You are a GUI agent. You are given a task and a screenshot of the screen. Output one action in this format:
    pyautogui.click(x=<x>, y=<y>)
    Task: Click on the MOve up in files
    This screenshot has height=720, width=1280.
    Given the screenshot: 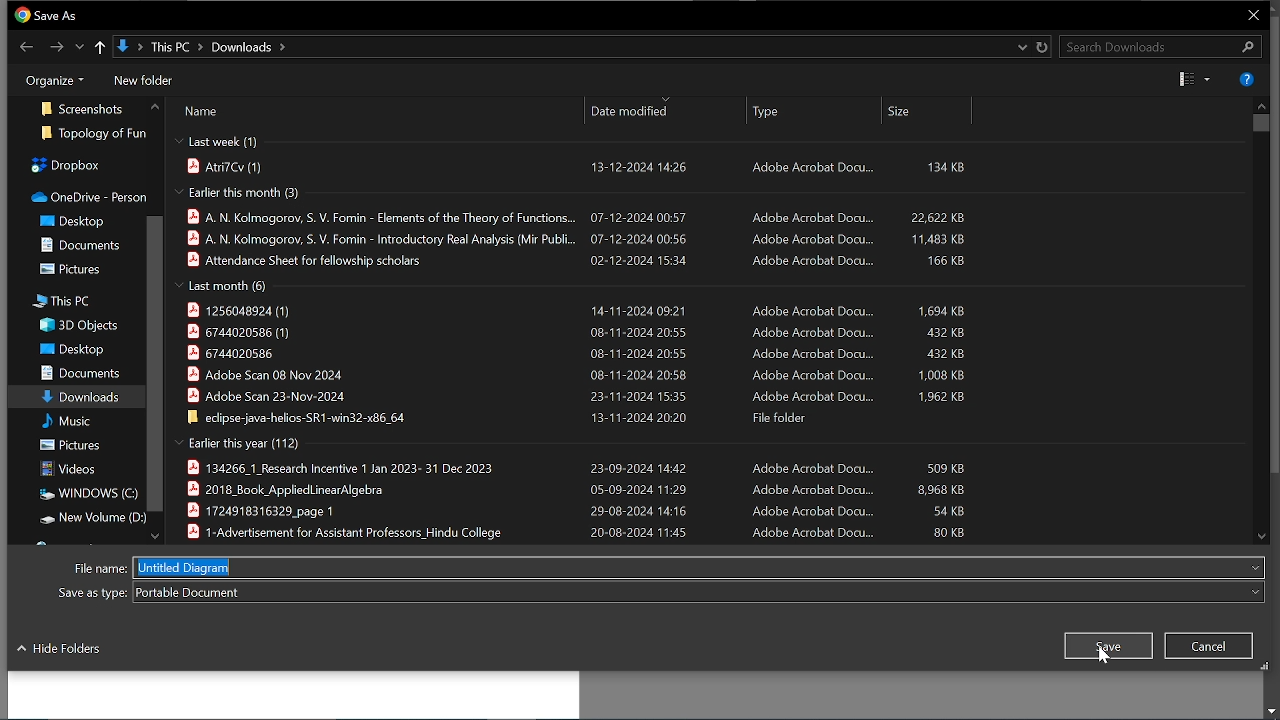 What is the action you would take?
    pyautogui.click(x=1259, y=105)
    